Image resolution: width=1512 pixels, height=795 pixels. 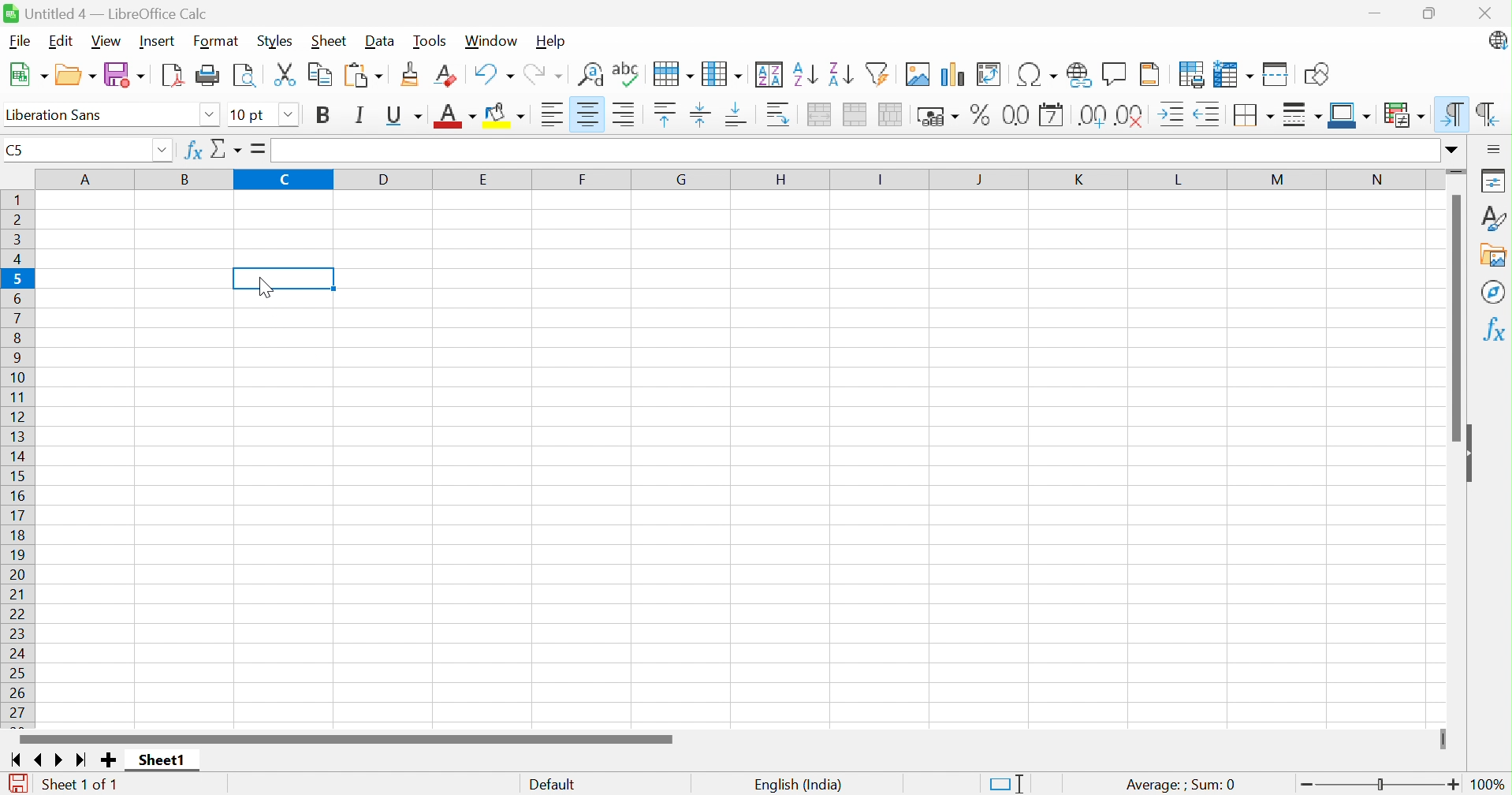 What do you see at coordinates (1052, 114) in the screenshot?
I see `Format as Date` at bounding box center [1052, 114].